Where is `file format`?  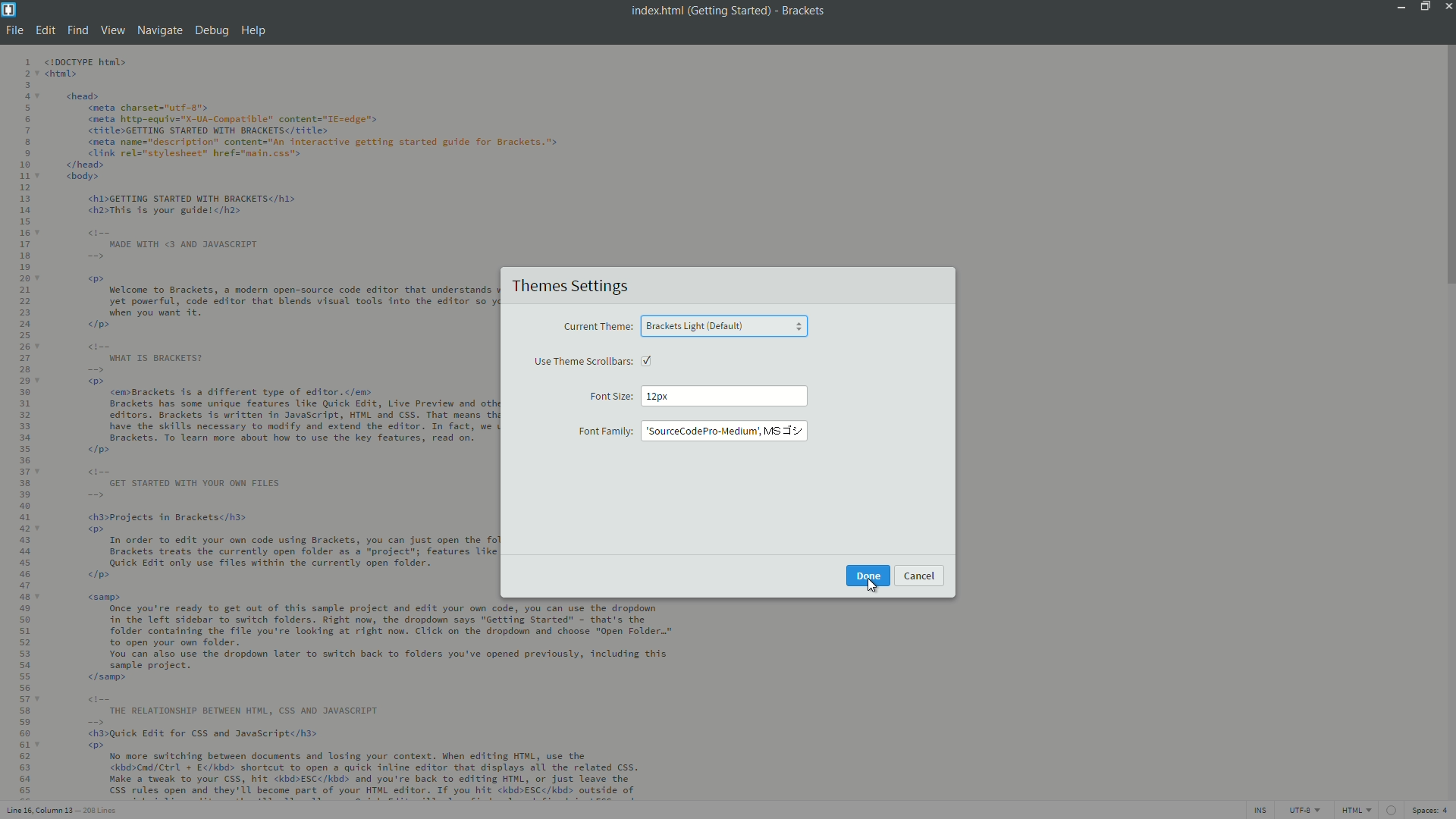 file format is located at coordinates (1358, 811).